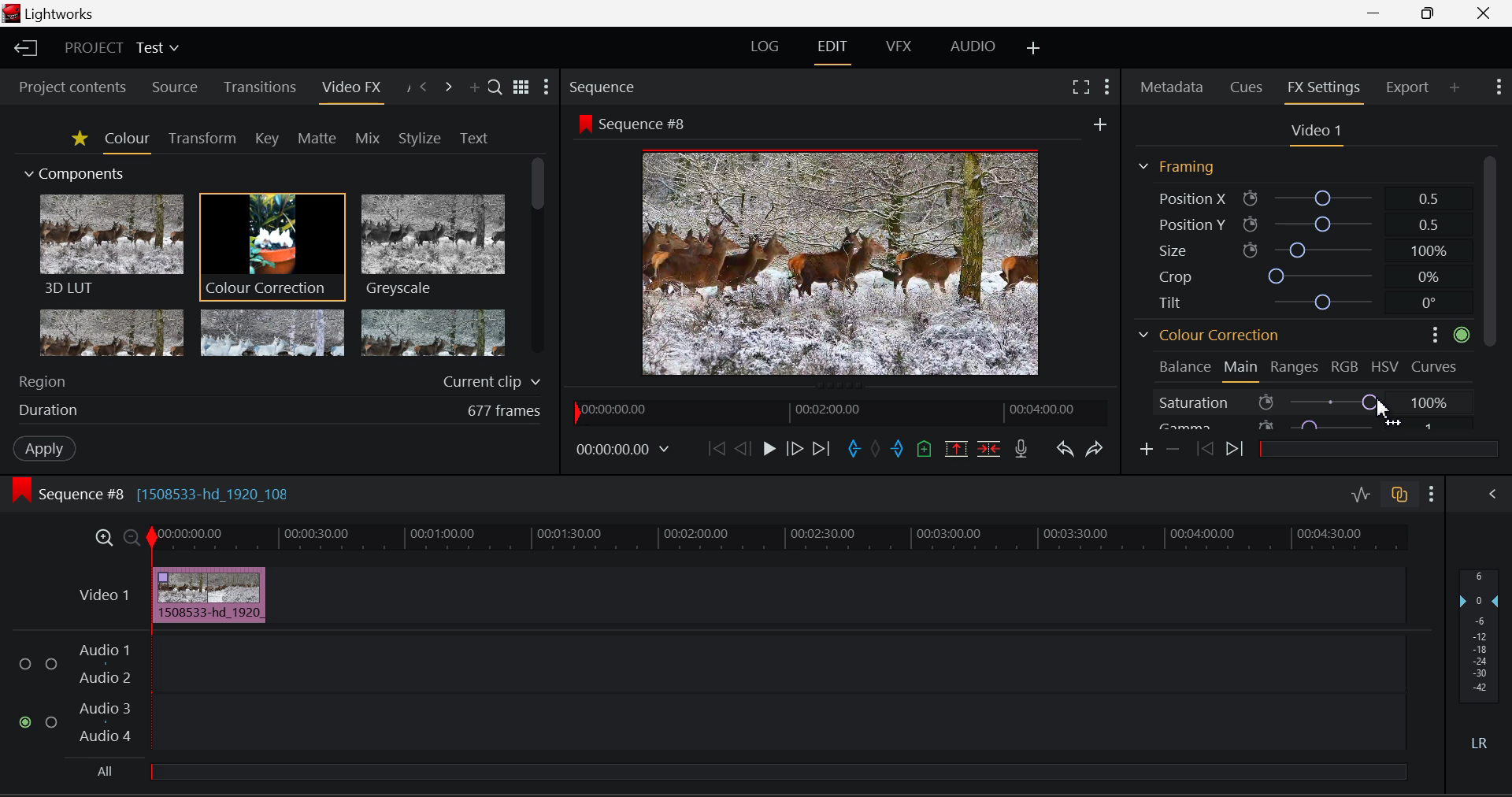 The height and width of the screenshot is (797, 1512). Describe the element at coordinates (967, 48) in the screenshot. I see `AUDIO Layout` at that location.